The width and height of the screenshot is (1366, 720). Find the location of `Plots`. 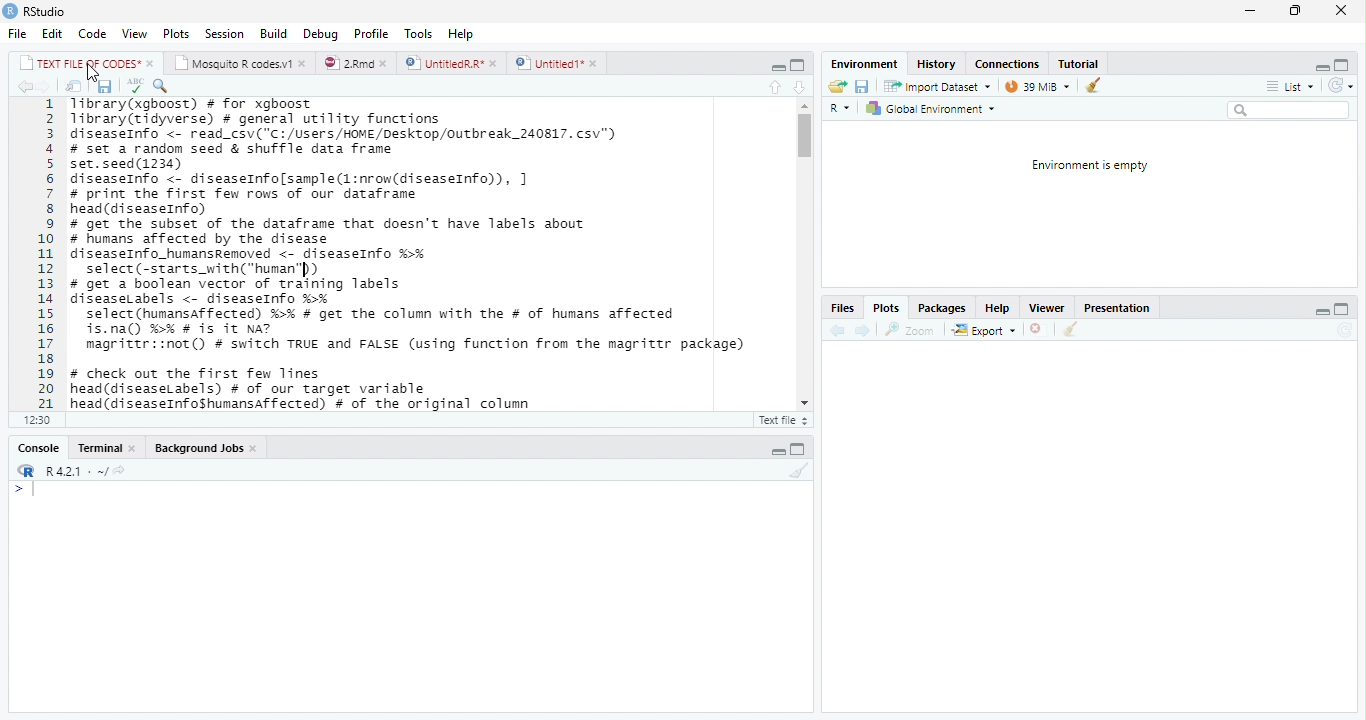

Plots is located at coordinates (174, 33).